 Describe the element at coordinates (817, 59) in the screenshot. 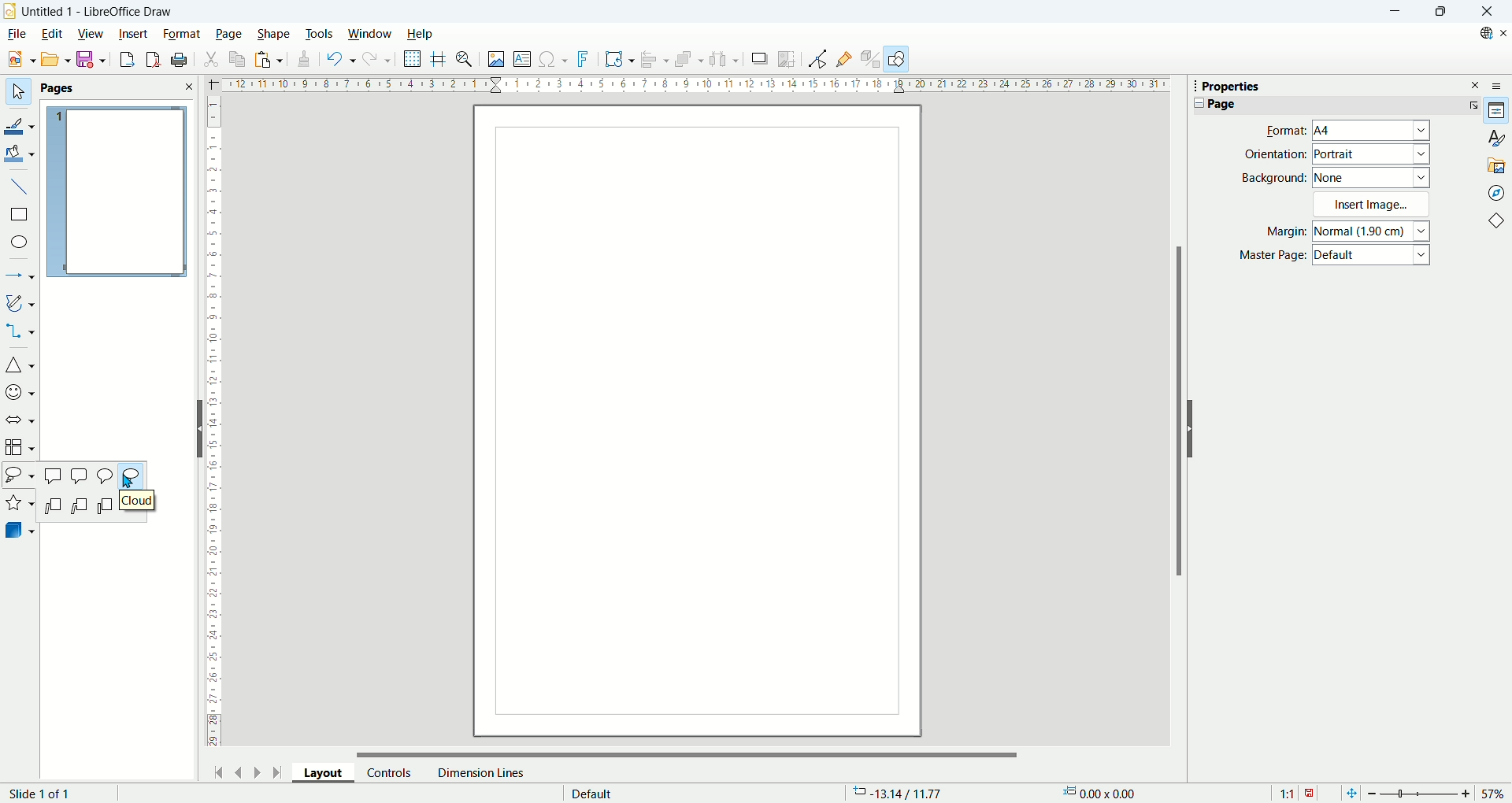

I see `point edit mode` at that location.